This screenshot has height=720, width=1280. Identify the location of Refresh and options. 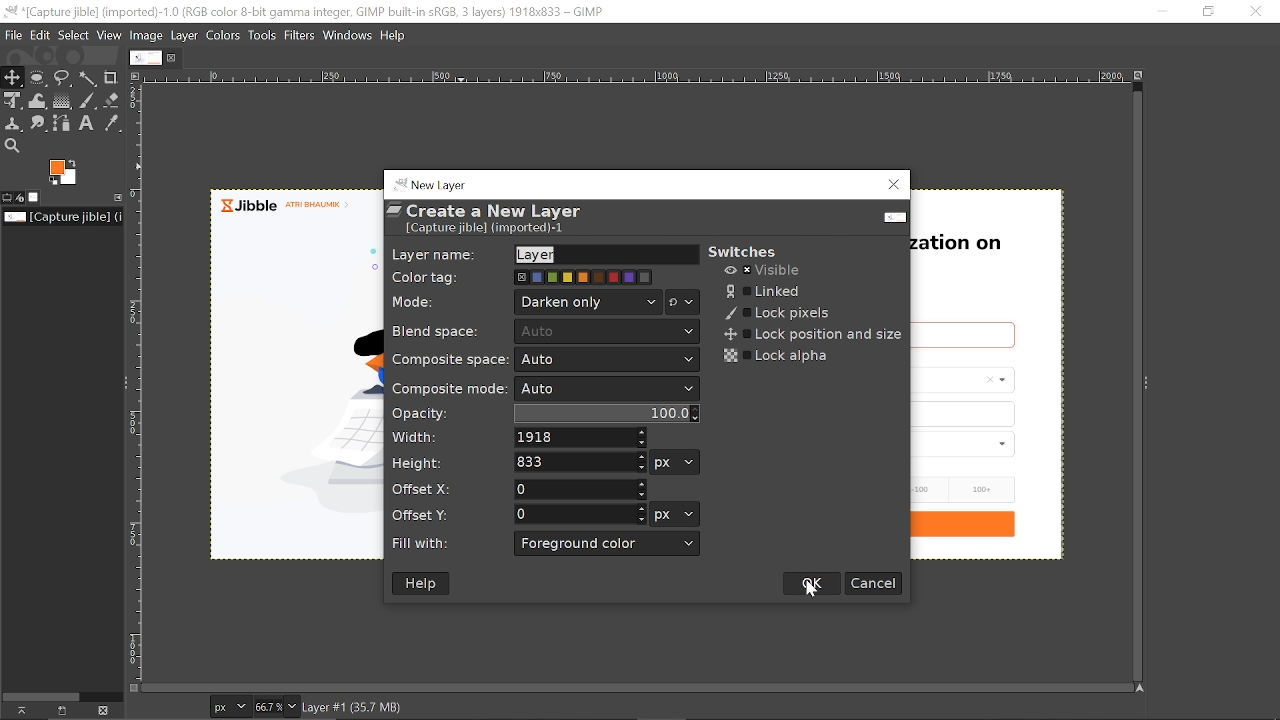
(682, 302).